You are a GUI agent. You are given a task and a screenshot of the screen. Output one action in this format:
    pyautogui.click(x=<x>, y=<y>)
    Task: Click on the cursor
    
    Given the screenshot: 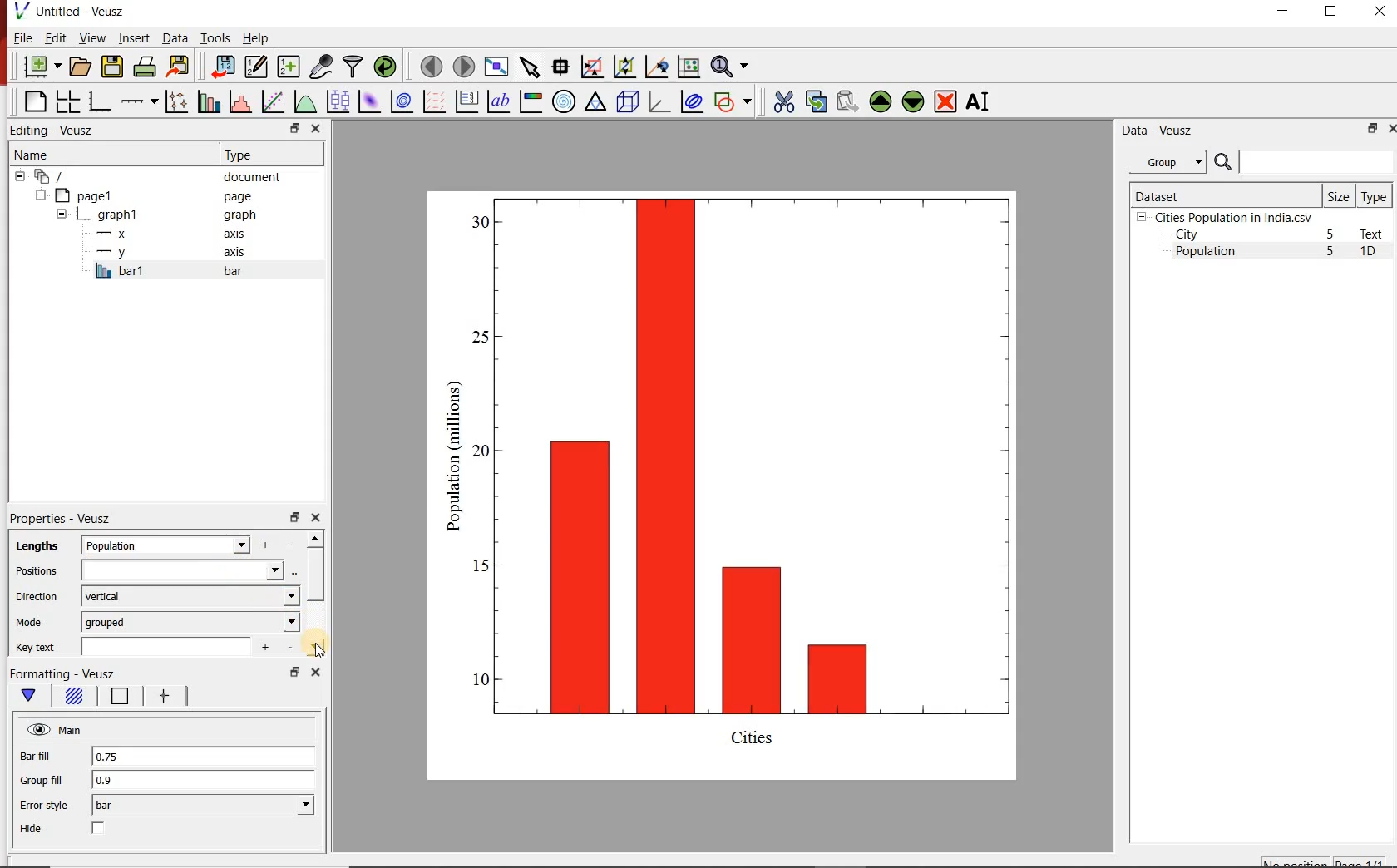 What is the action you would take?
    pyautogui.click(x=320, y=649)
    